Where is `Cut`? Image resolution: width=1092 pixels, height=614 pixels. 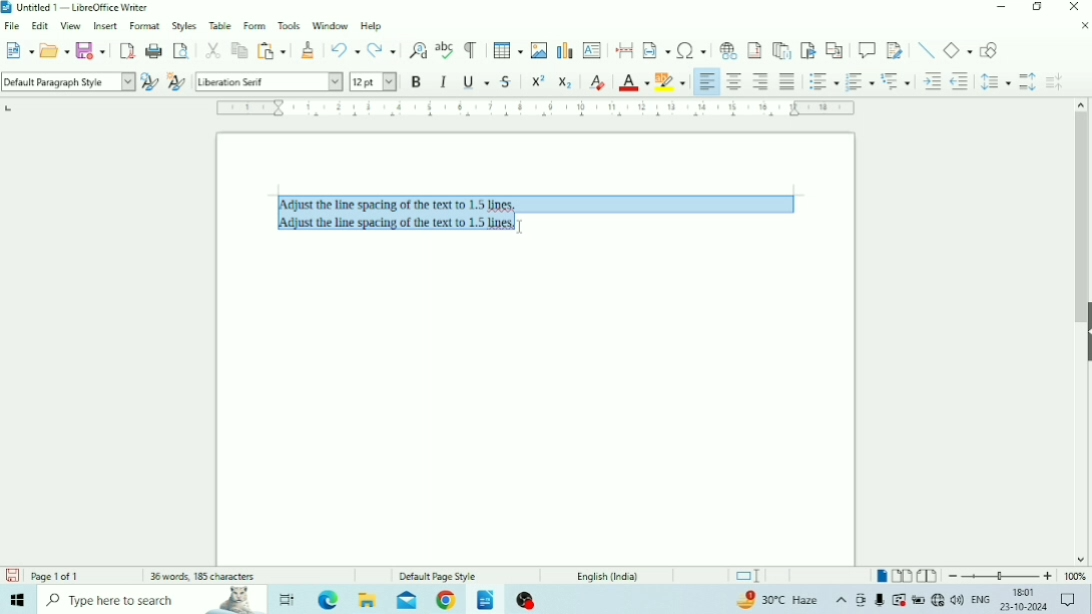
Cut is located at coordinates (212, 50).